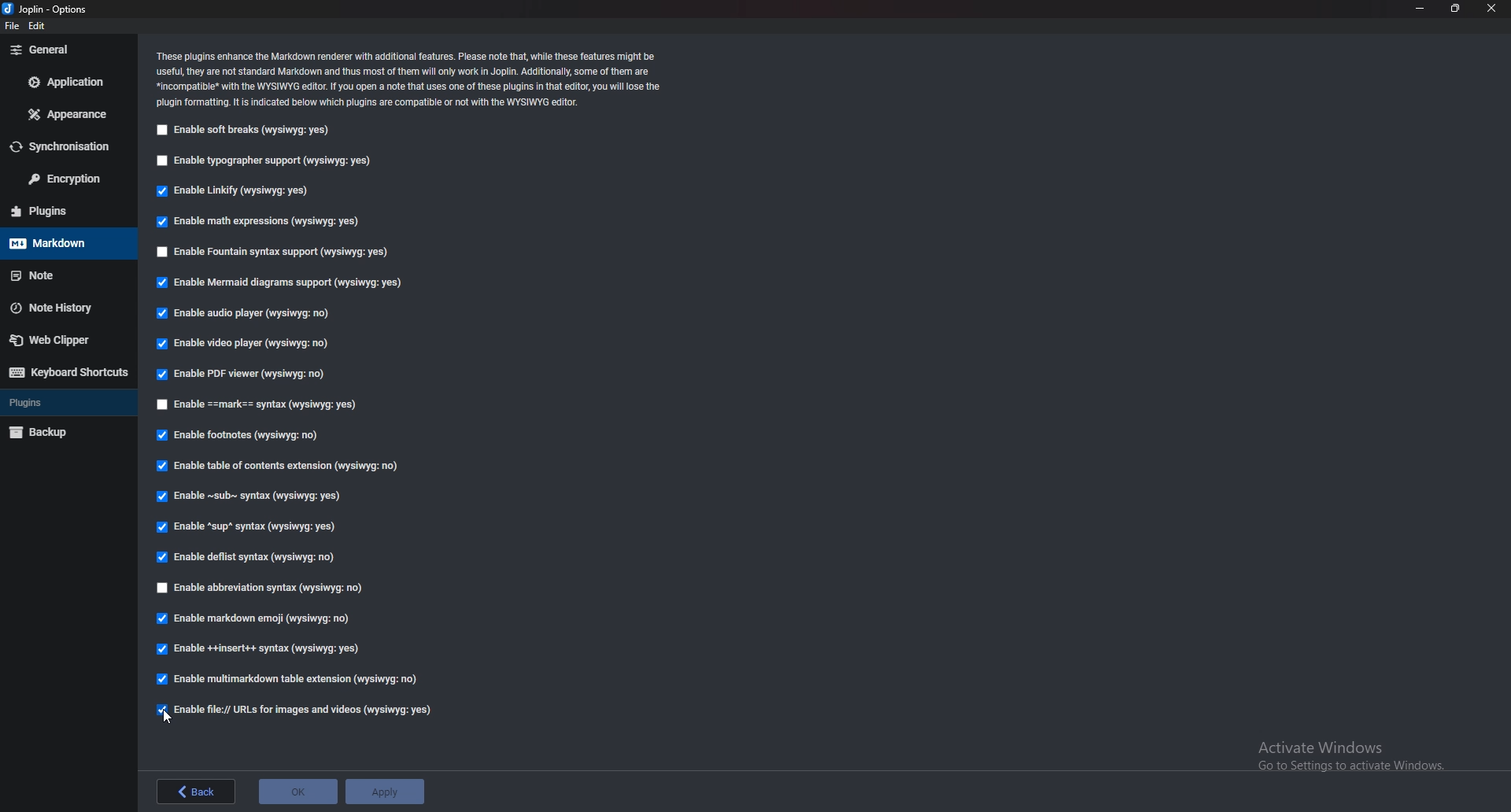 This screenshot has height=812, width=1511. I want to click on enable Mark Syntax, so click(268, 404).